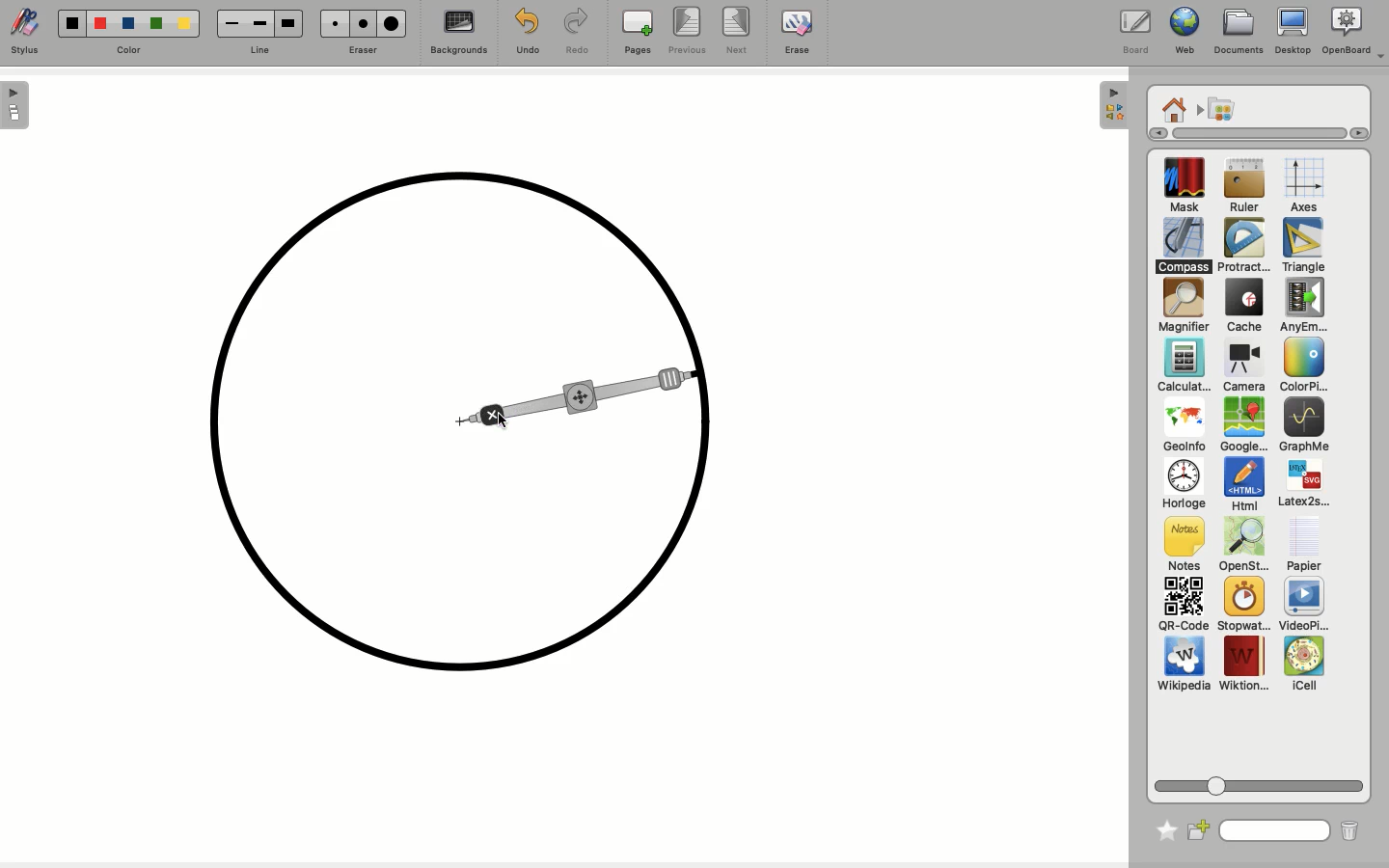 The image size is (1389, 868). What do you see at coordinates (1183, 306) in the screenshot?
I see `Magnifier` at bounding box center [1183, 306].